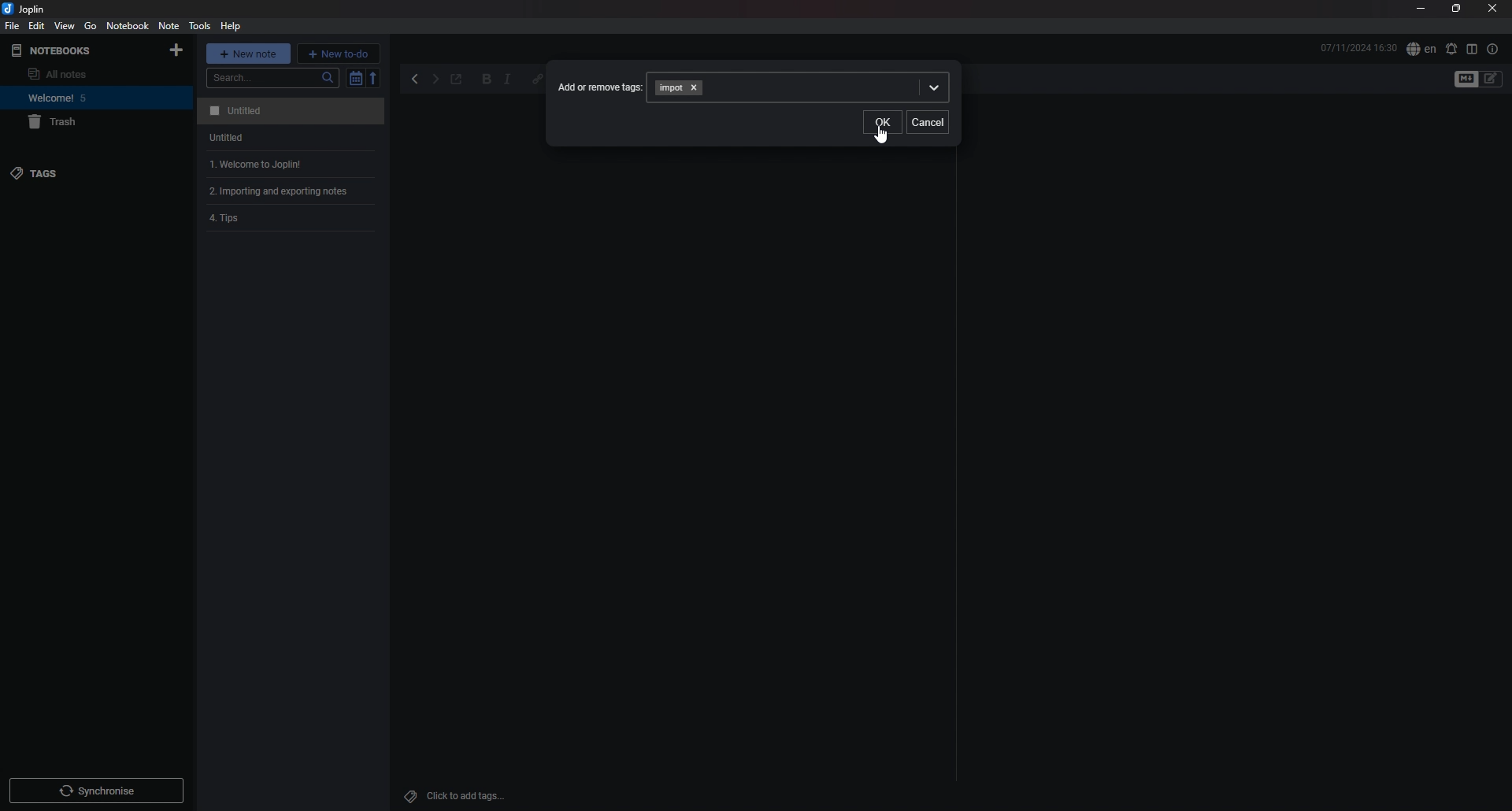 The height and width of the screenshot is (811, 1512). I want to click on search, so click(273, 78).